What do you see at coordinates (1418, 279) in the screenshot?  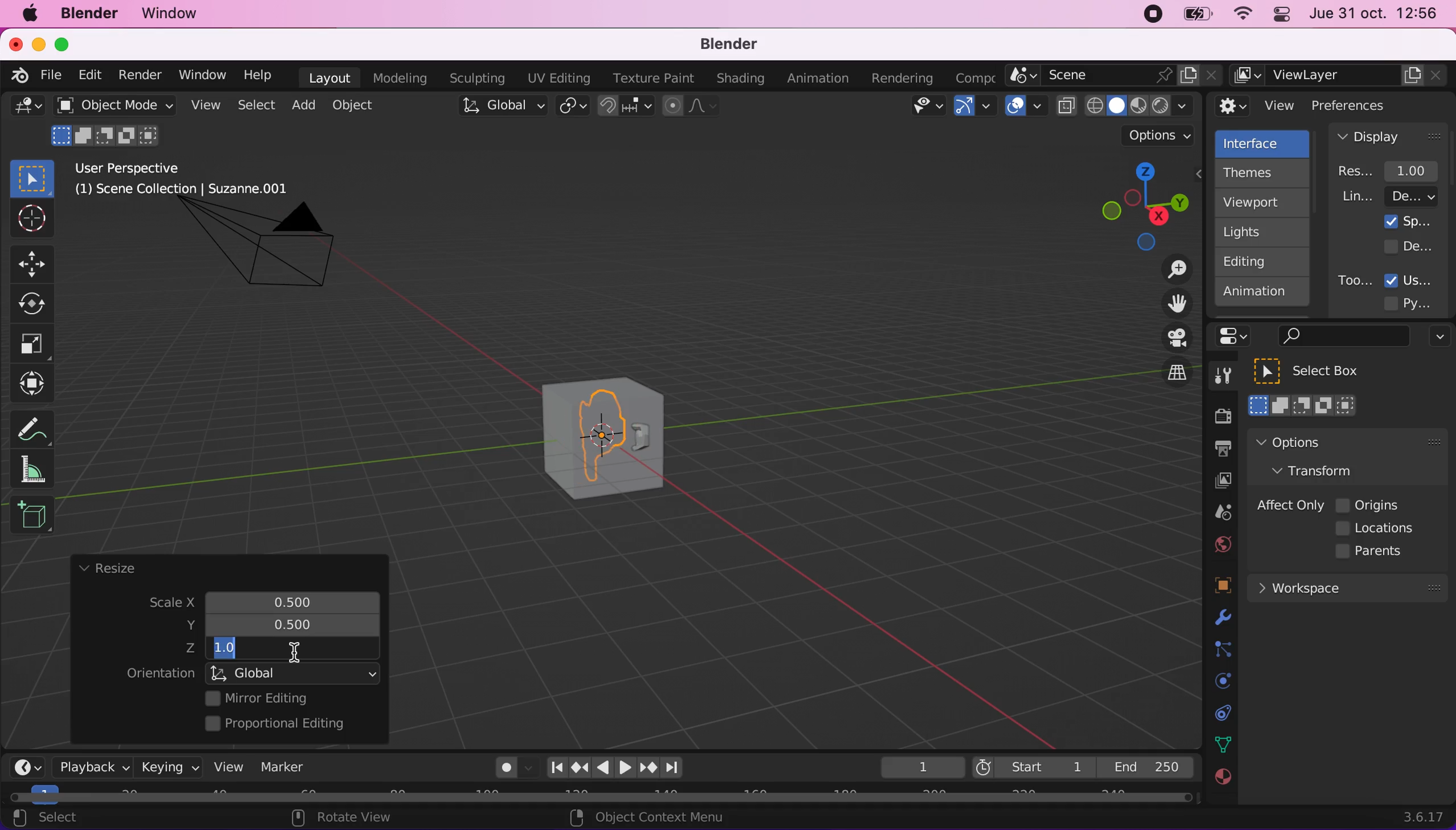 I see `user tooltips` at bounding box center [1418, 279].